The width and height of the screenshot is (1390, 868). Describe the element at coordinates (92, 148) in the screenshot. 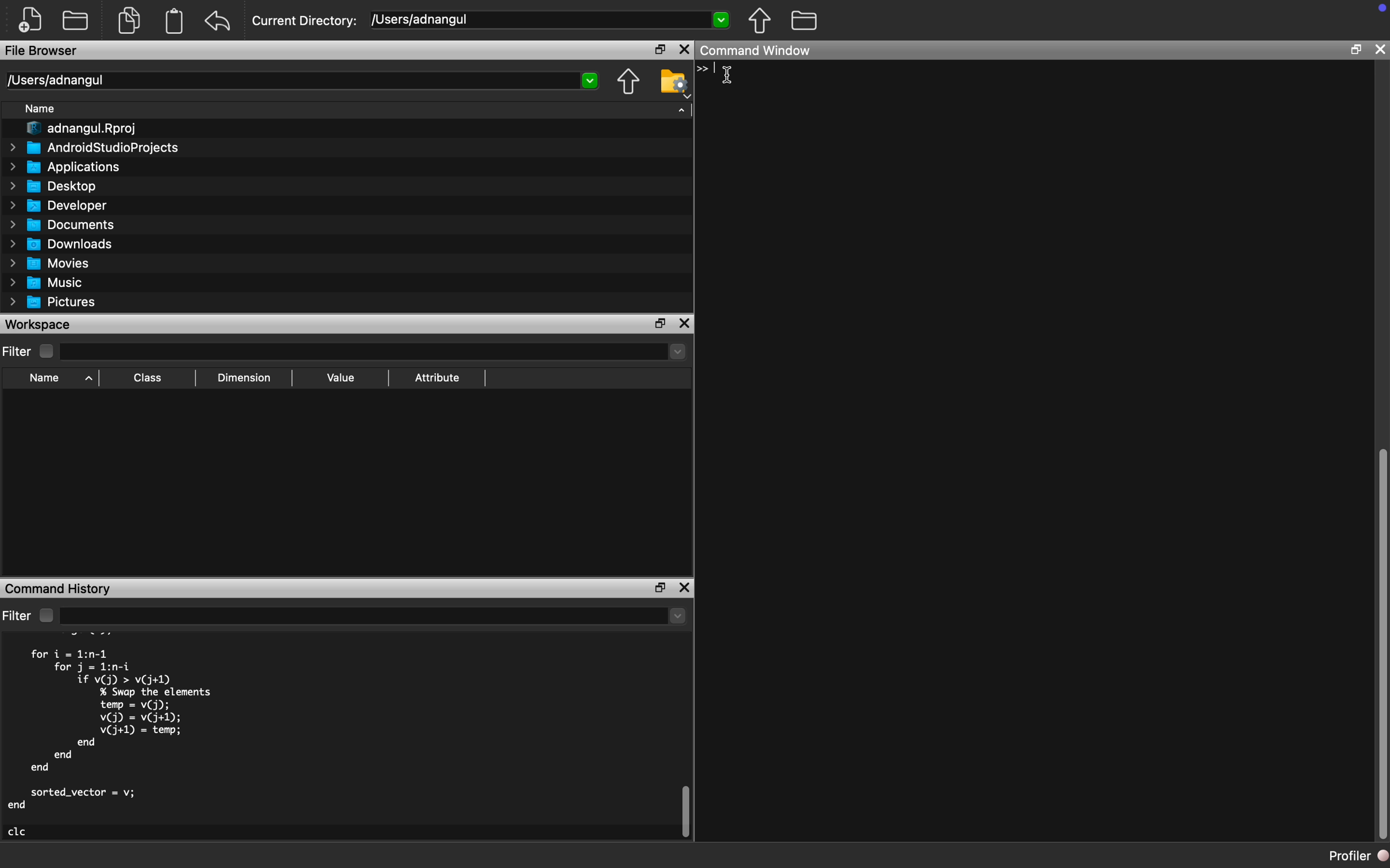

I see `AndroidStudioProjects` at that location.